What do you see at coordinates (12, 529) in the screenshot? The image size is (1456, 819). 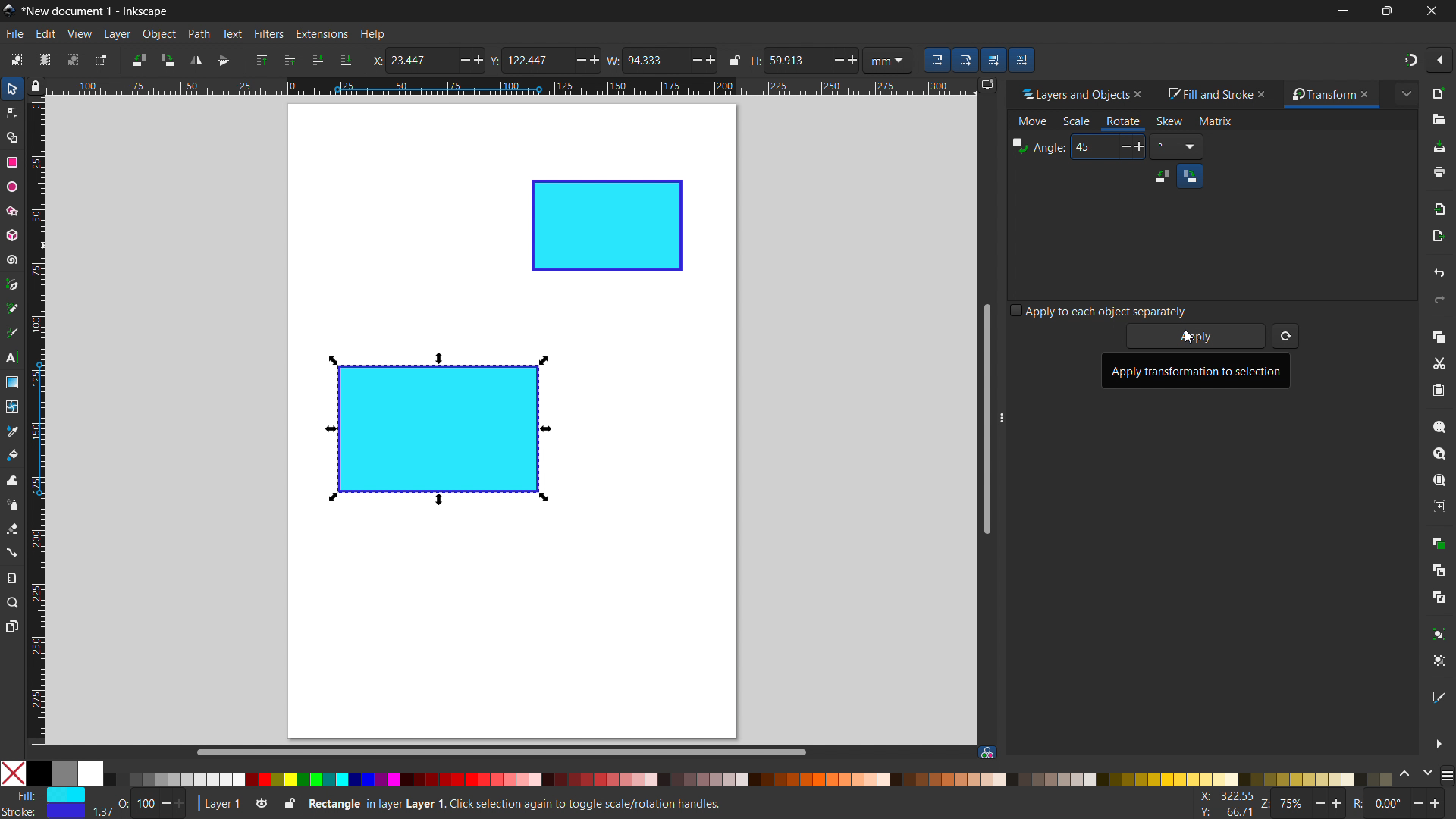 I see `erasor tool` at bounding box center [12, 529].